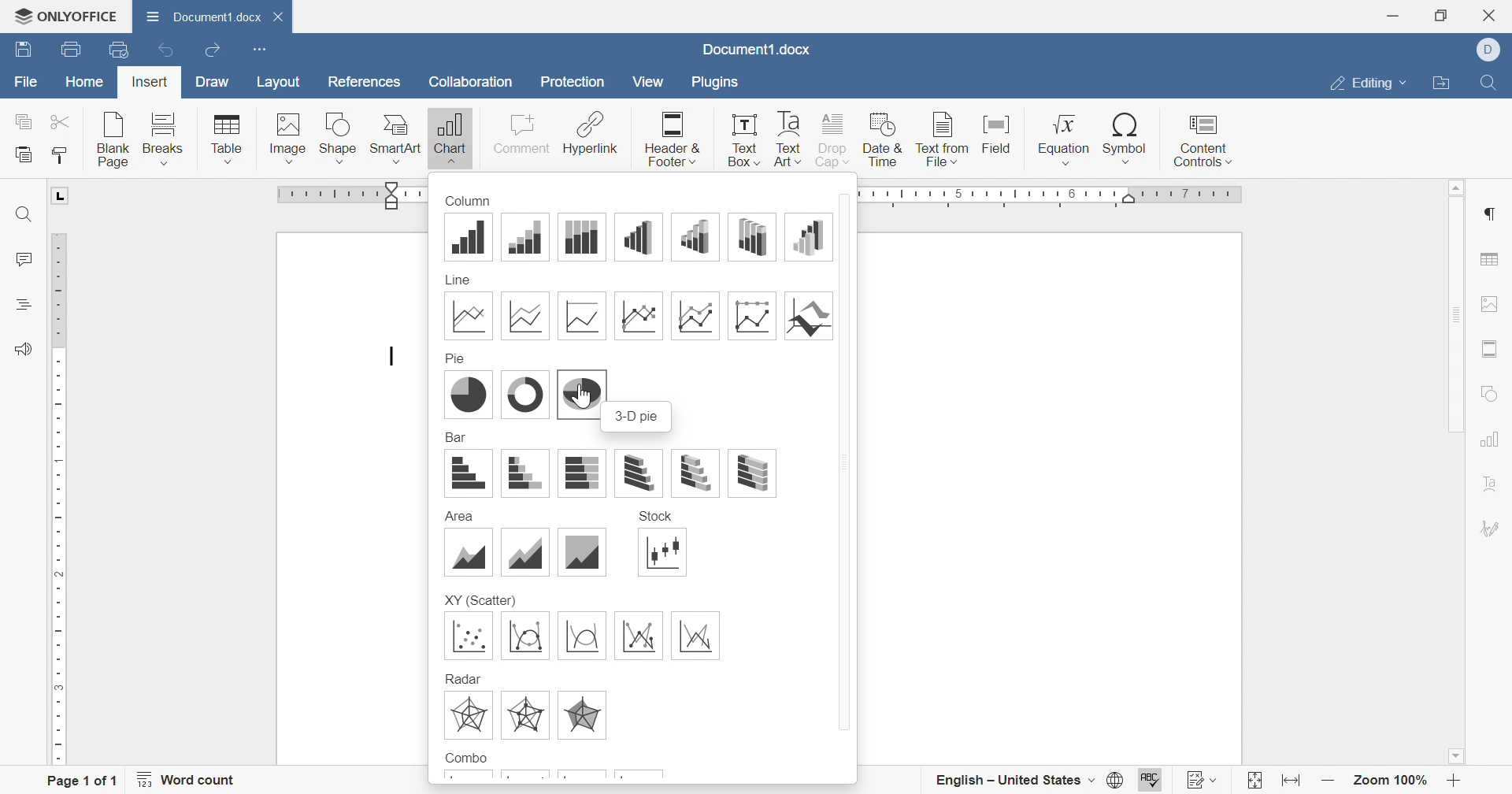  What do you see at coordinates (1362, 84) in the screenshot?
I see `Editing` at bounding box center [1362, 84].